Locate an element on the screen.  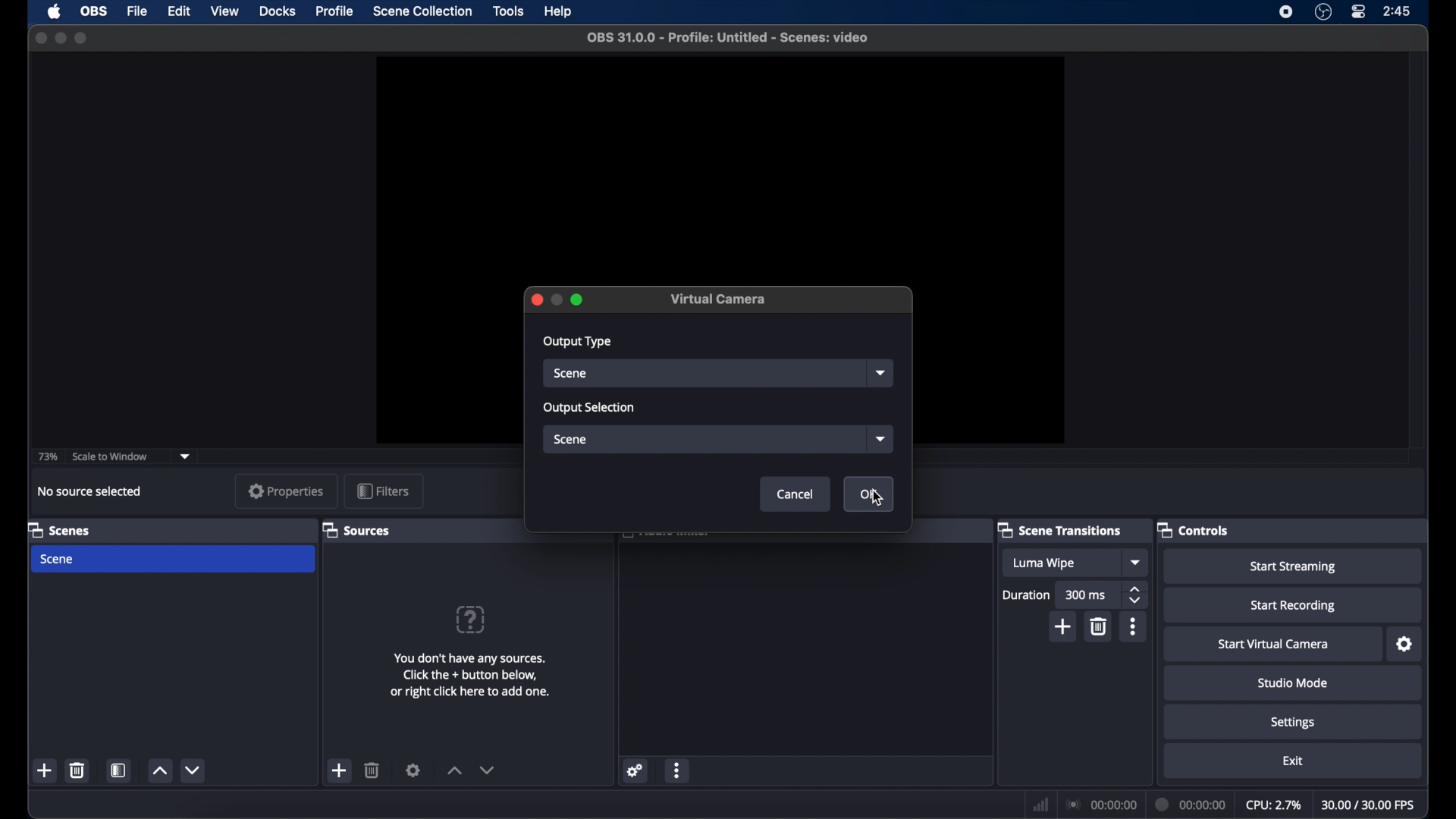
virtual camera is located at coordinates (719, 299).